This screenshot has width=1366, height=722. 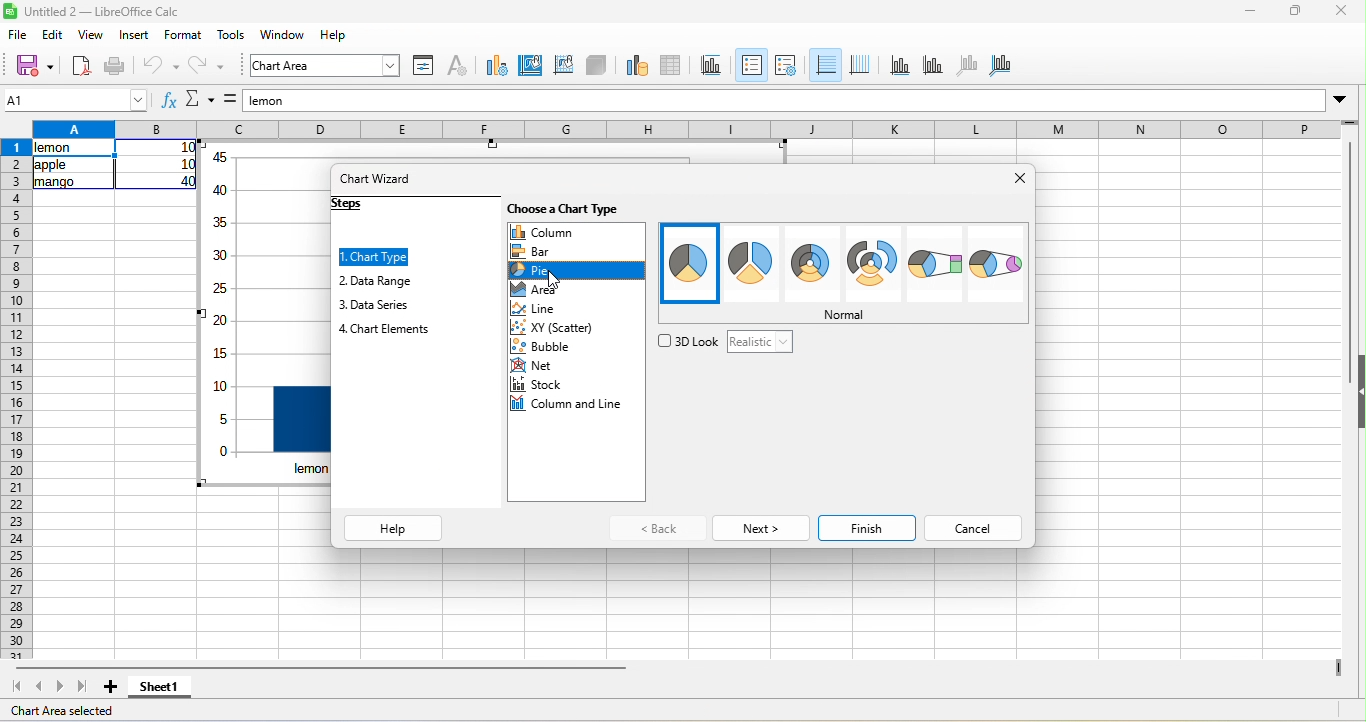 What do you see at coordinates (837, 314) in the screenshot?
I see `normal` at bounding box center [837, 314].